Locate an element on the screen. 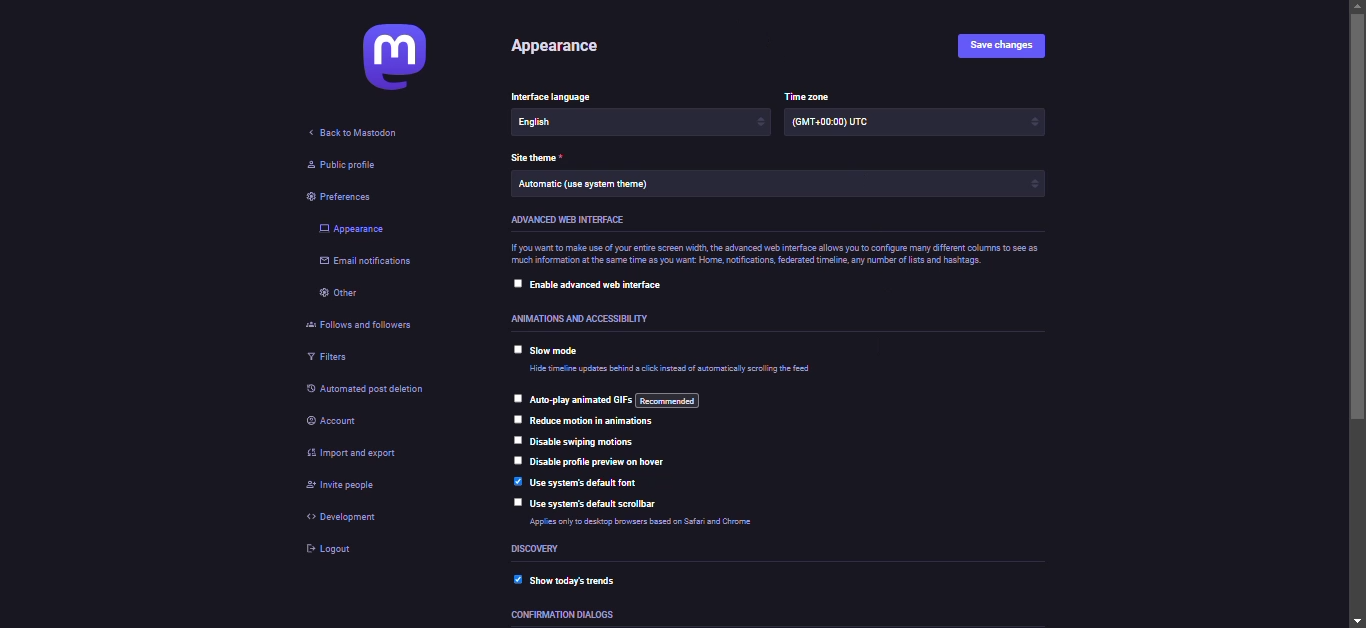 The width and height of the screenshot is (1366, 628). enabled is located at coordinates (509, 581).